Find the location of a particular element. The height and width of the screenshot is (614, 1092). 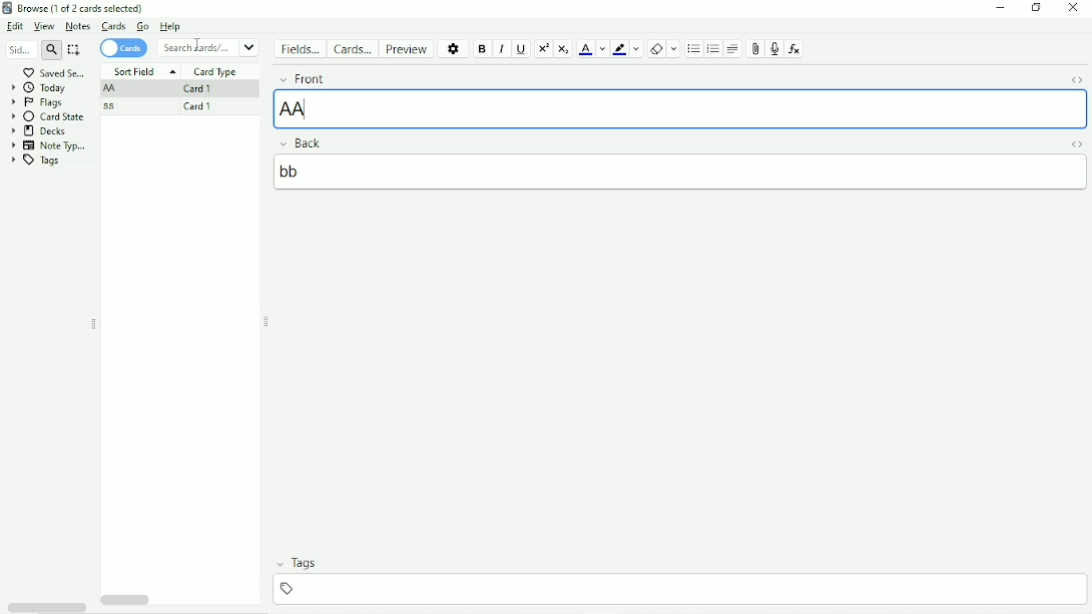

Card 1 is located at coordinates (198, 105).